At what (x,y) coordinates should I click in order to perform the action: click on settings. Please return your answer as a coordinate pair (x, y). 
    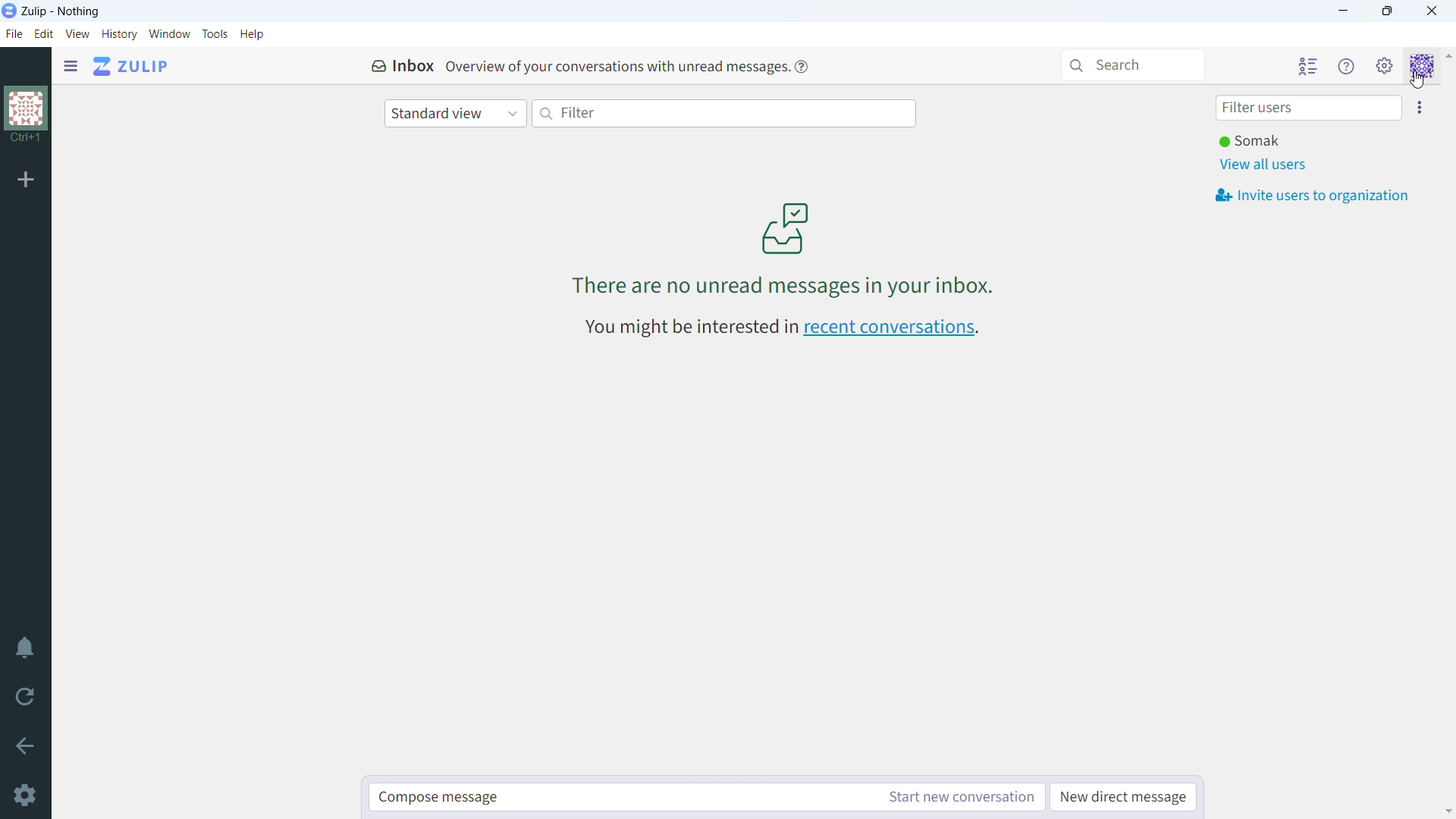
    Looking at the image, I should click on (27, 797).